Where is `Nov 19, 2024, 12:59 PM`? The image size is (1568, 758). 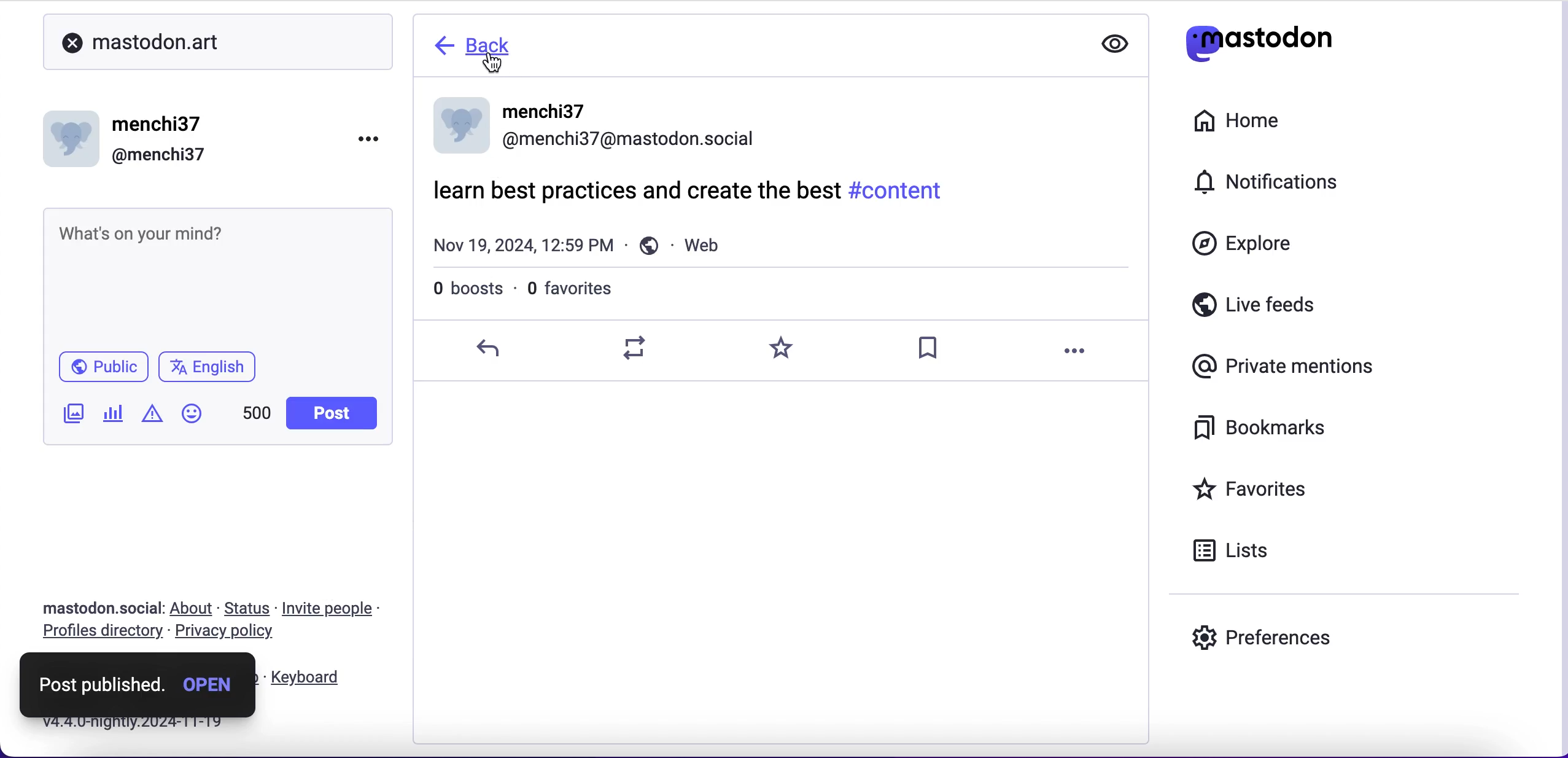 Nov 19, 2024, 12:59 PM is located at coordinates (521, 247).